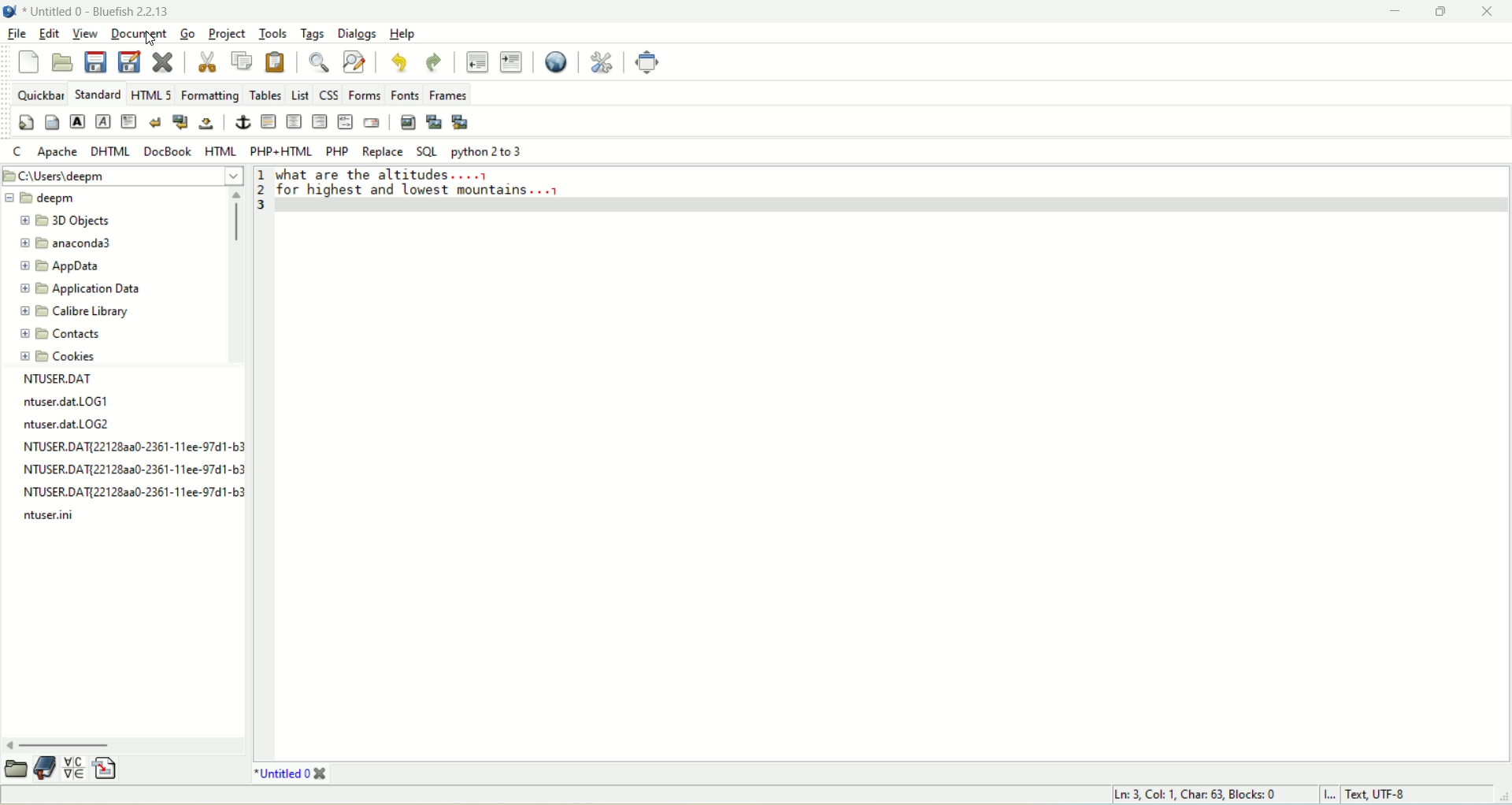 This screenshot has height=805, width=1512. I want to click on appdata, so click(70, 267).